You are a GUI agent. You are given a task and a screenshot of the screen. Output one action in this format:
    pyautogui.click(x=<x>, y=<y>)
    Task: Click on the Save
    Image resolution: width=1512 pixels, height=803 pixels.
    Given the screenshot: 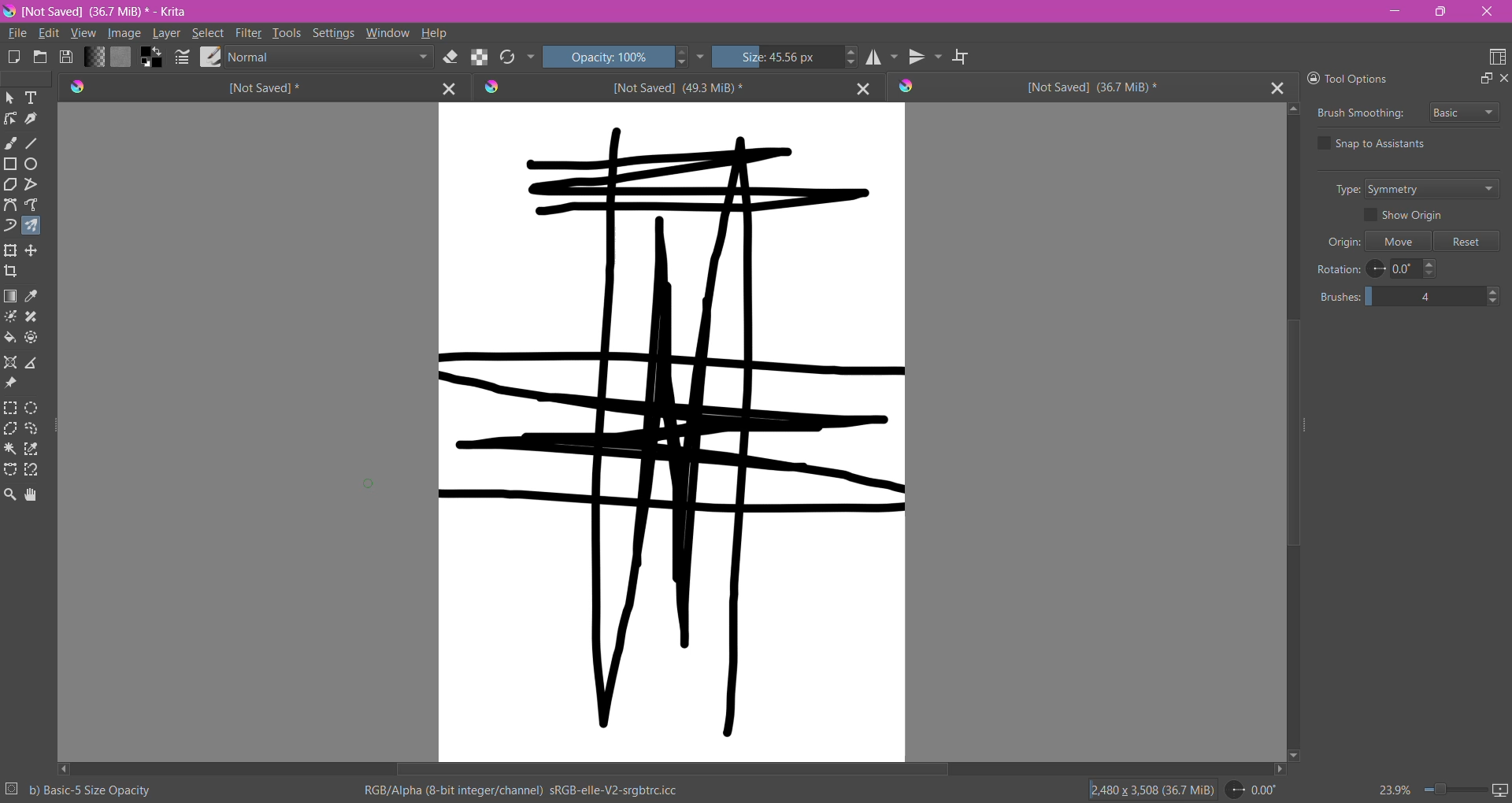 What is the action you would take?
    pyautogui.click(x=67, y=58)
    